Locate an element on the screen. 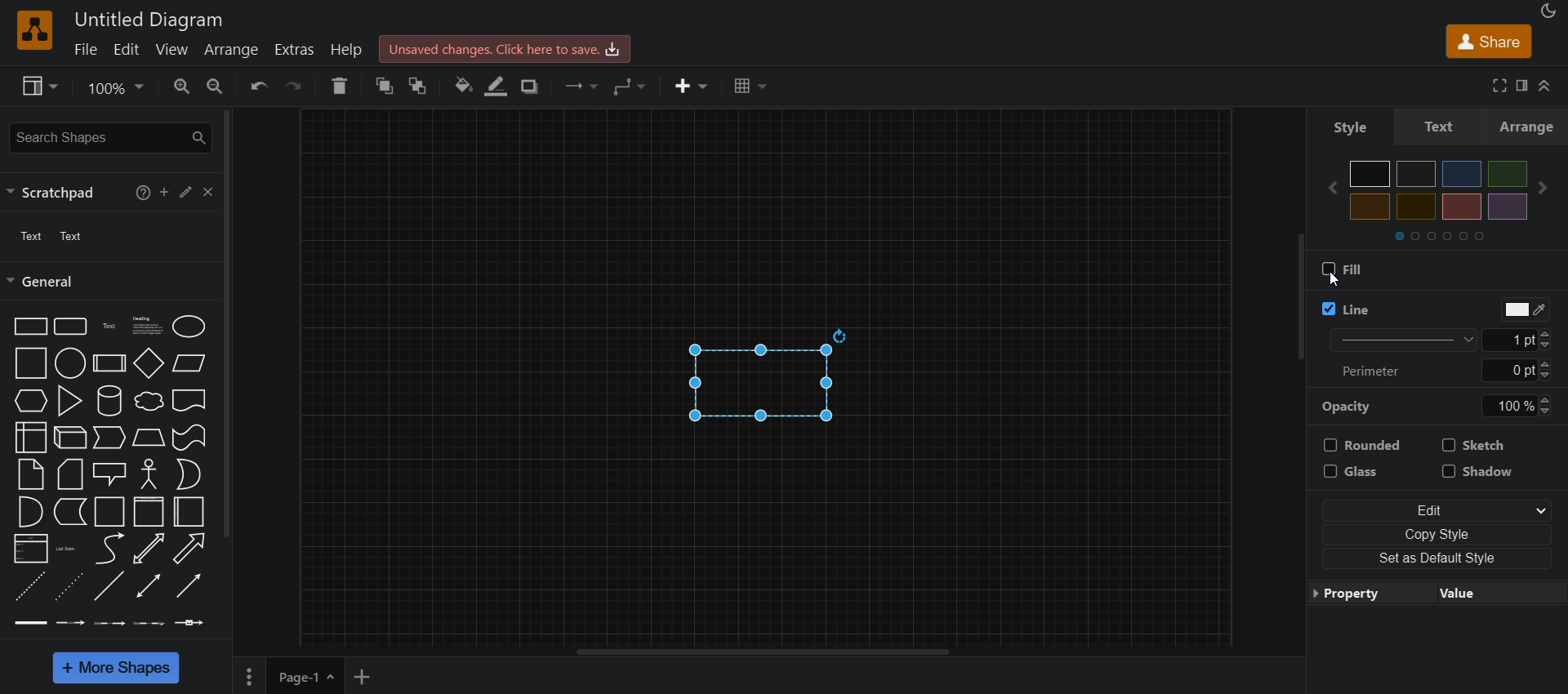 The image size is (1568, 694). rounded is located at coordinates (1362, 445).